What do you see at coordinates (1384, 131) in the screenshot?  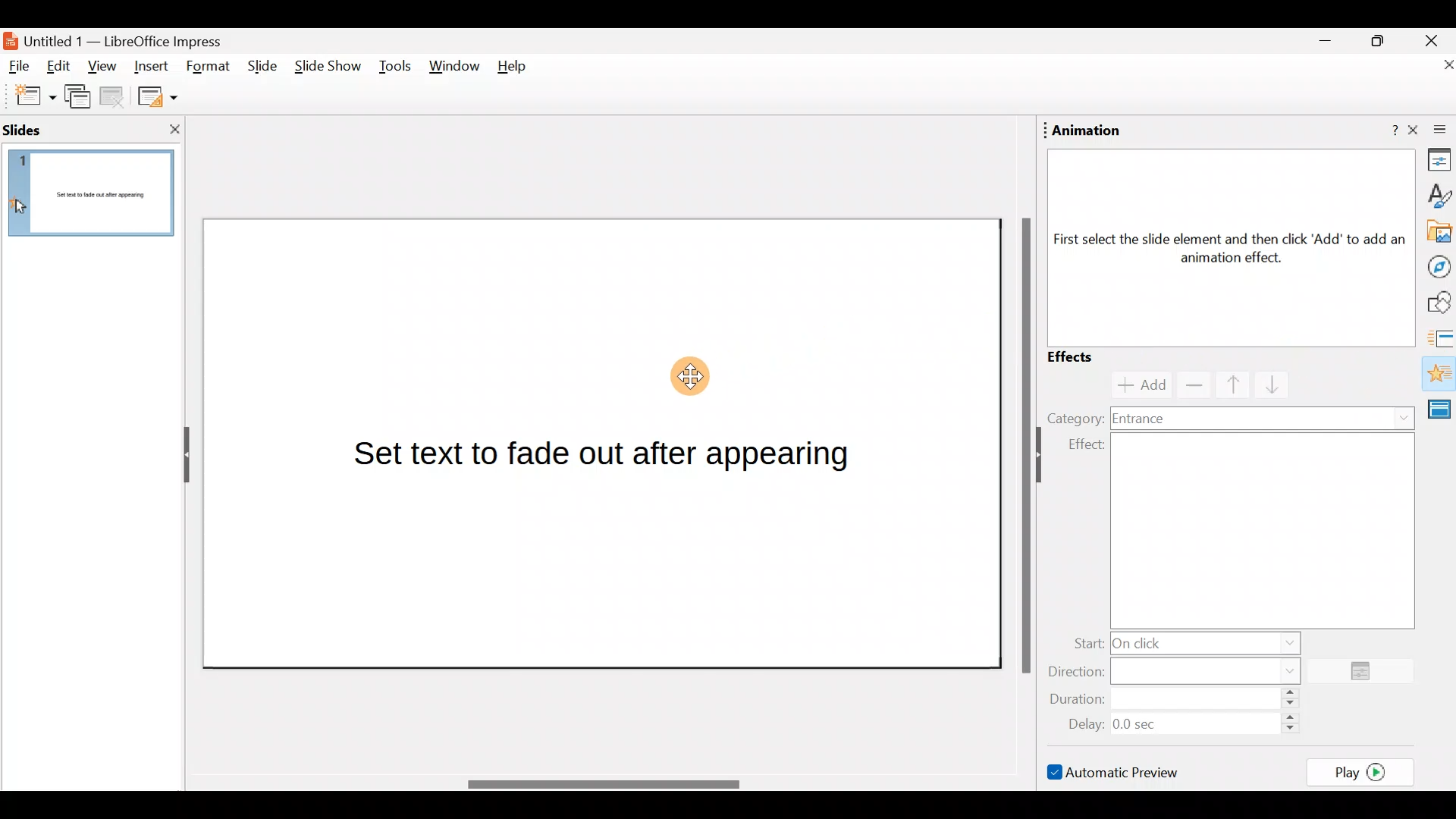 I see `Help` at bounding box center [1384, 131].